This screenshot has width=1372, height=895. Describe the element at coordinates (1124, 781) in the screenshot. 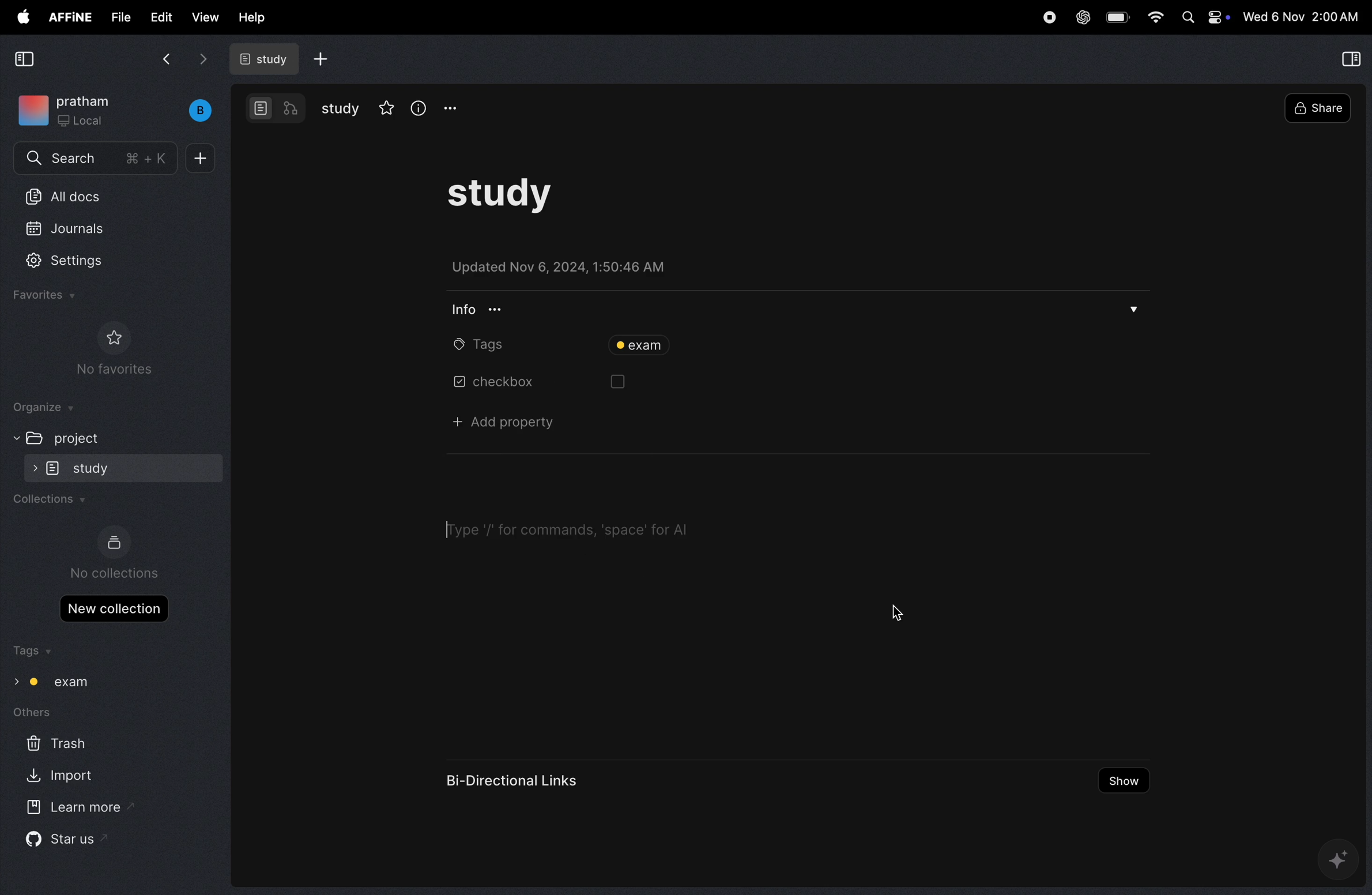

I see `show` at that location.